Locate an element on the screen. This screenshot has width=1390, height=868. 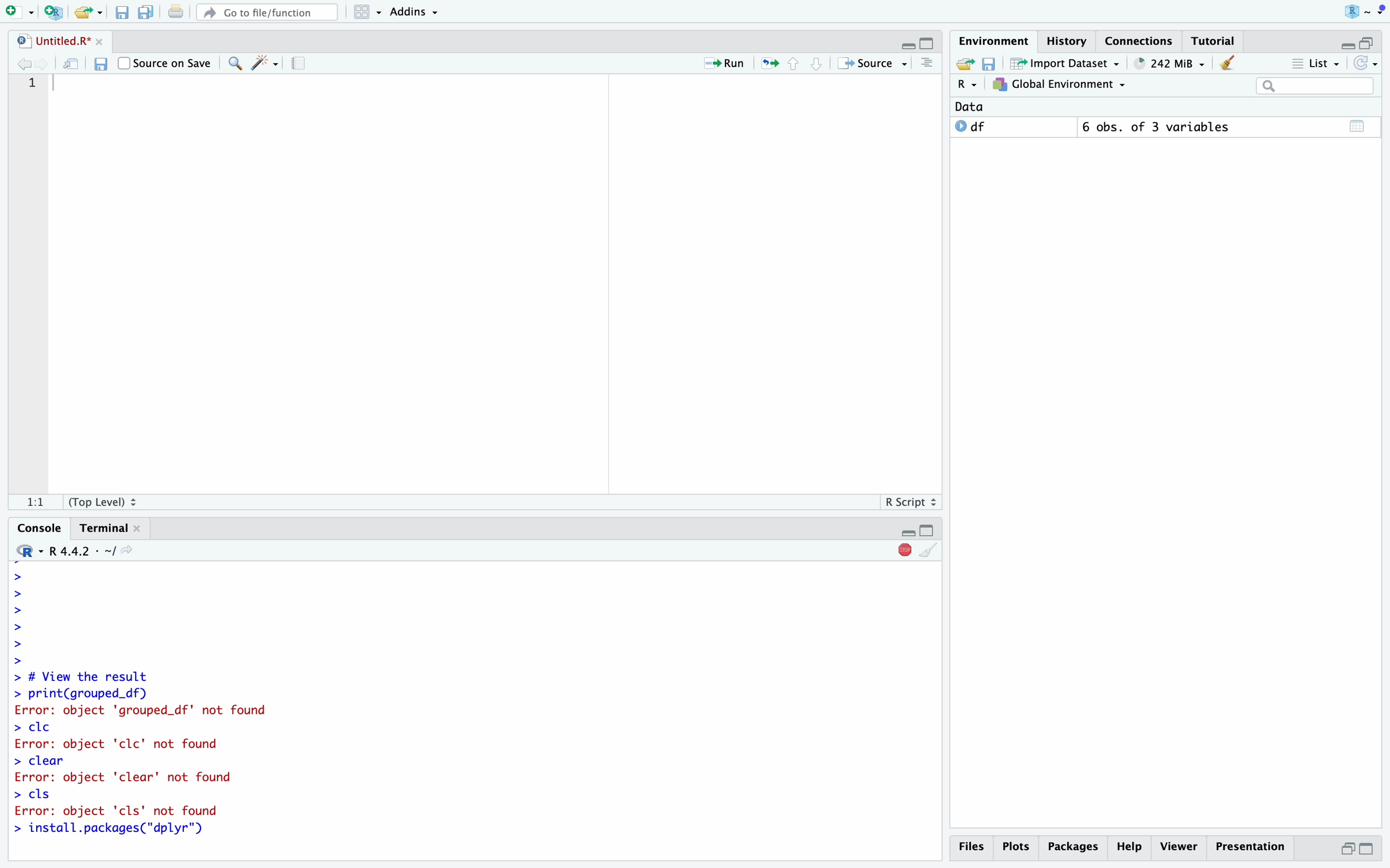
Guidelines is located at coordinates (302, 64).